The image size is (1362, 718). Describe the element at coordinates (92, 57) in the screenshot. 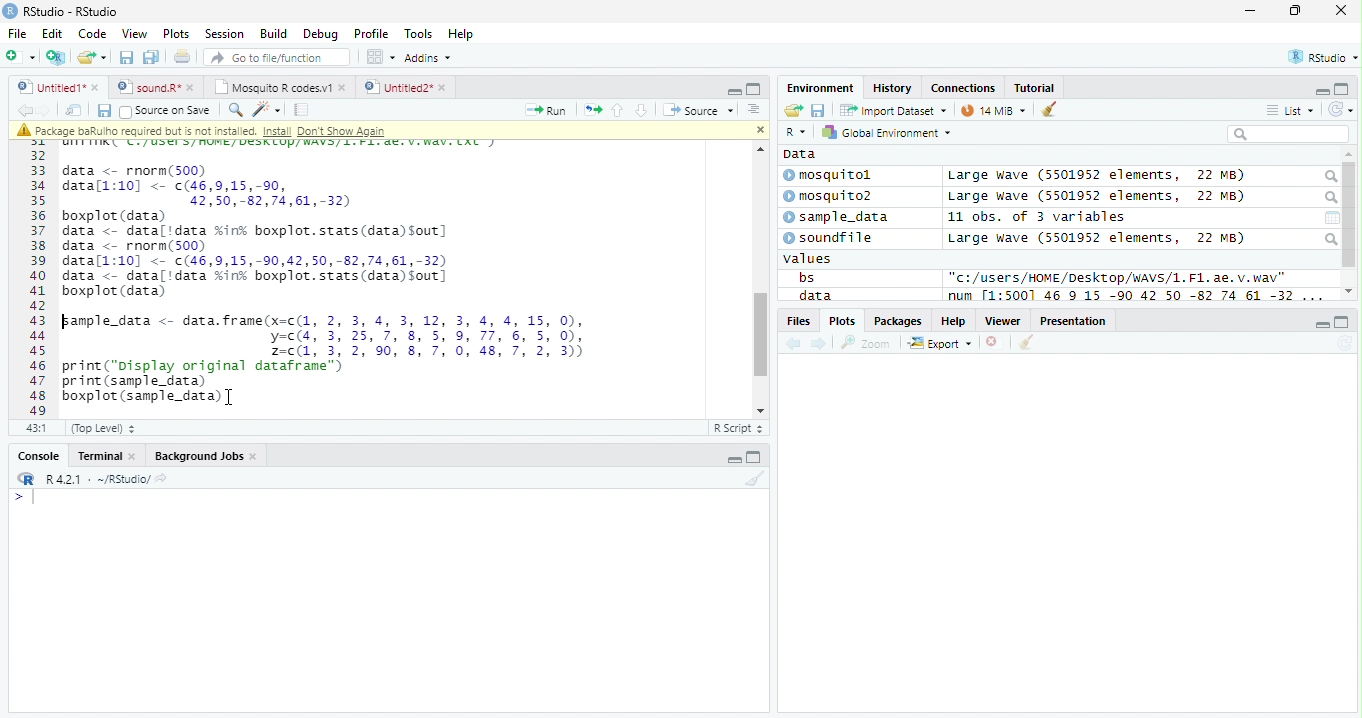

I see `open an existing file` at that location.